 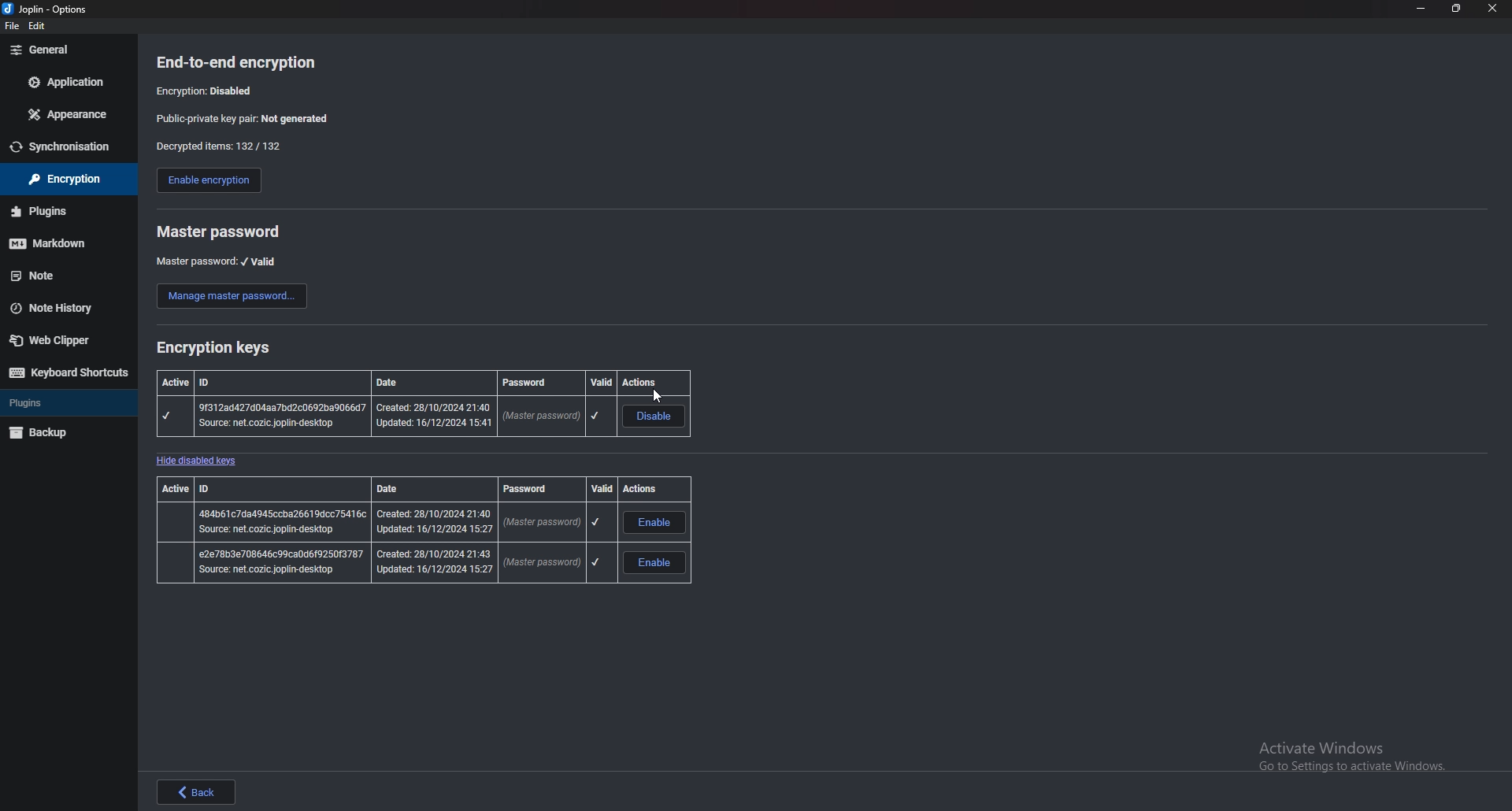 What do you see at coordinates (1348, 754) in the screenshot?
I see `Activate Windows` at bounding box center [1348, 754].